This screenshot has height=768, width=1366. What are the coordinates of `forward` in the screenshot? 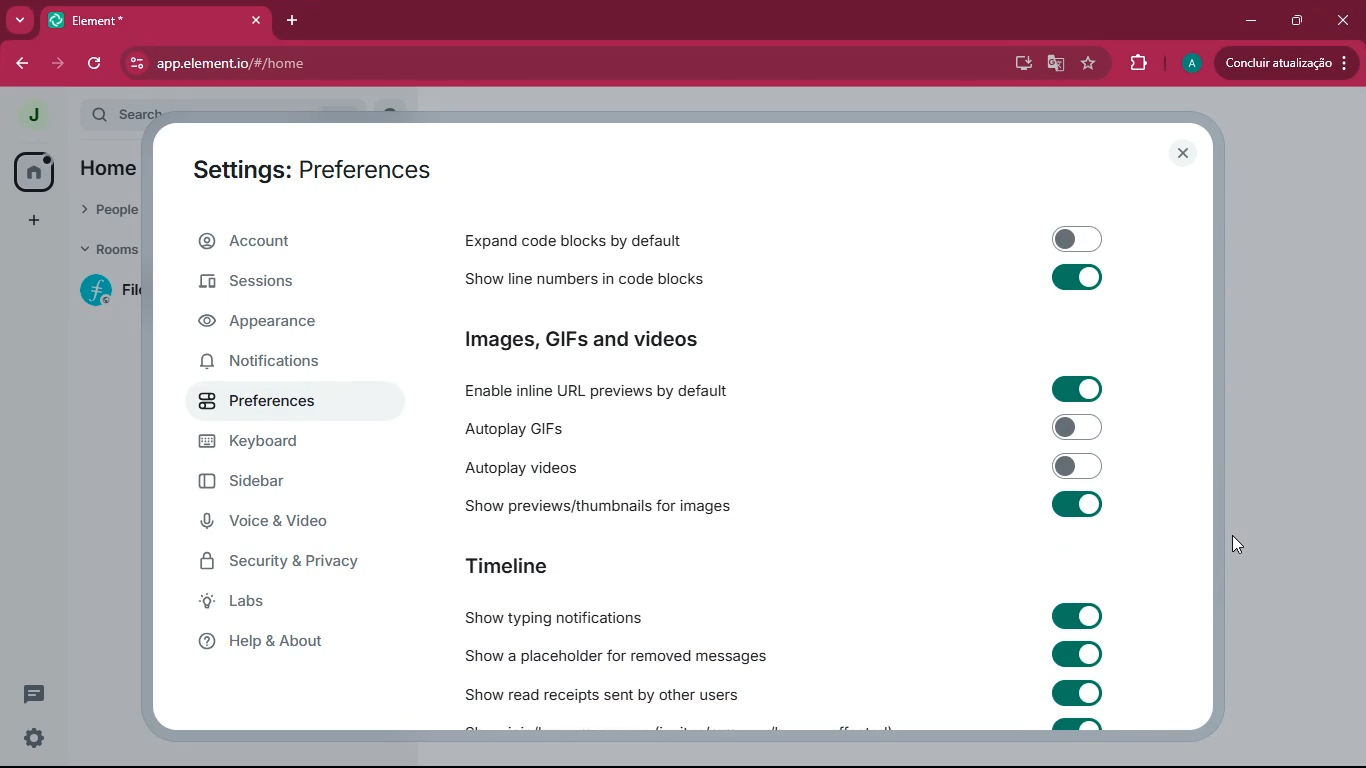 It's located at (60, 65).